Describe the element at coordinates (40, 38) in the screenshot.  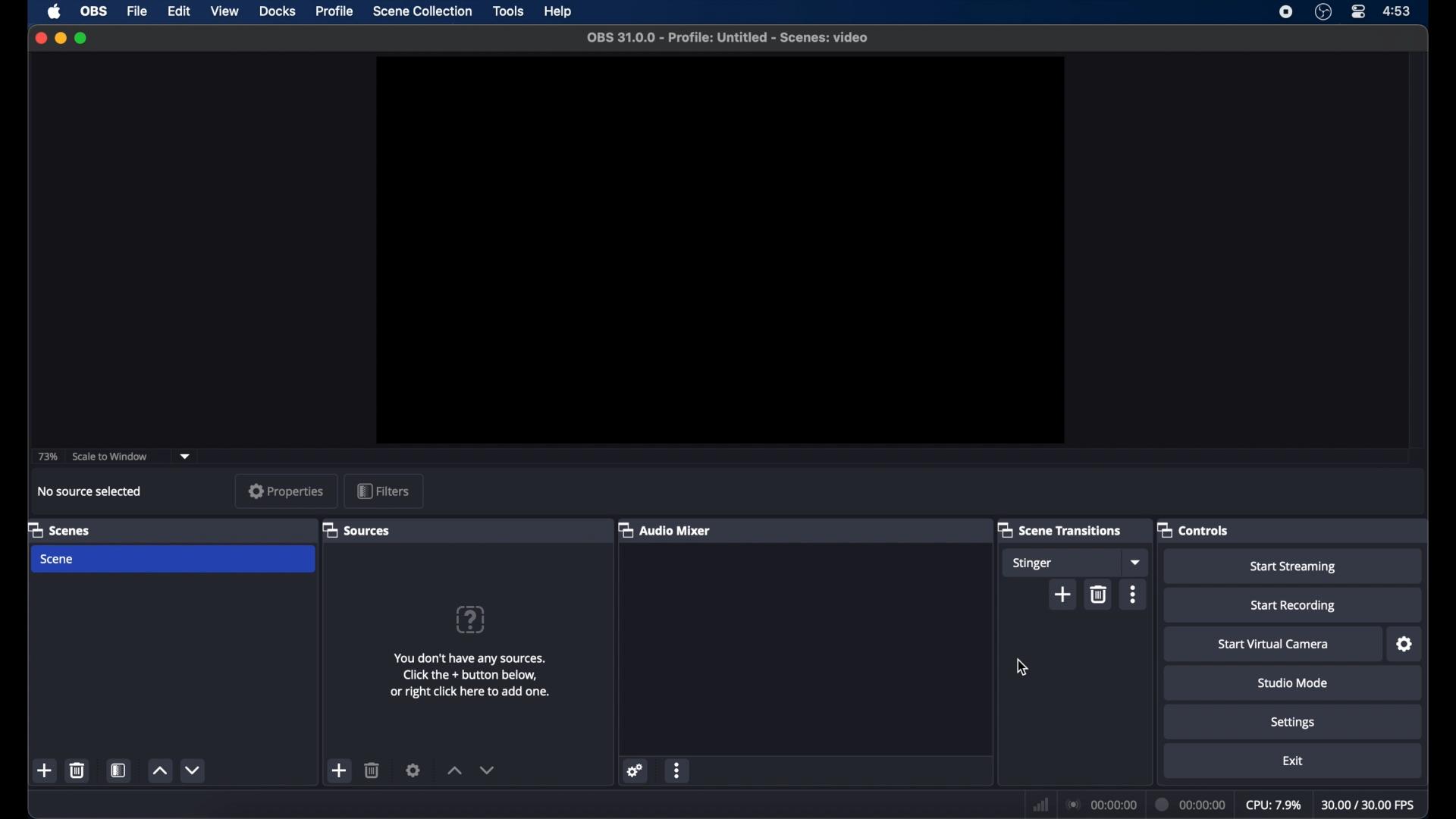
I see `close` at that location.